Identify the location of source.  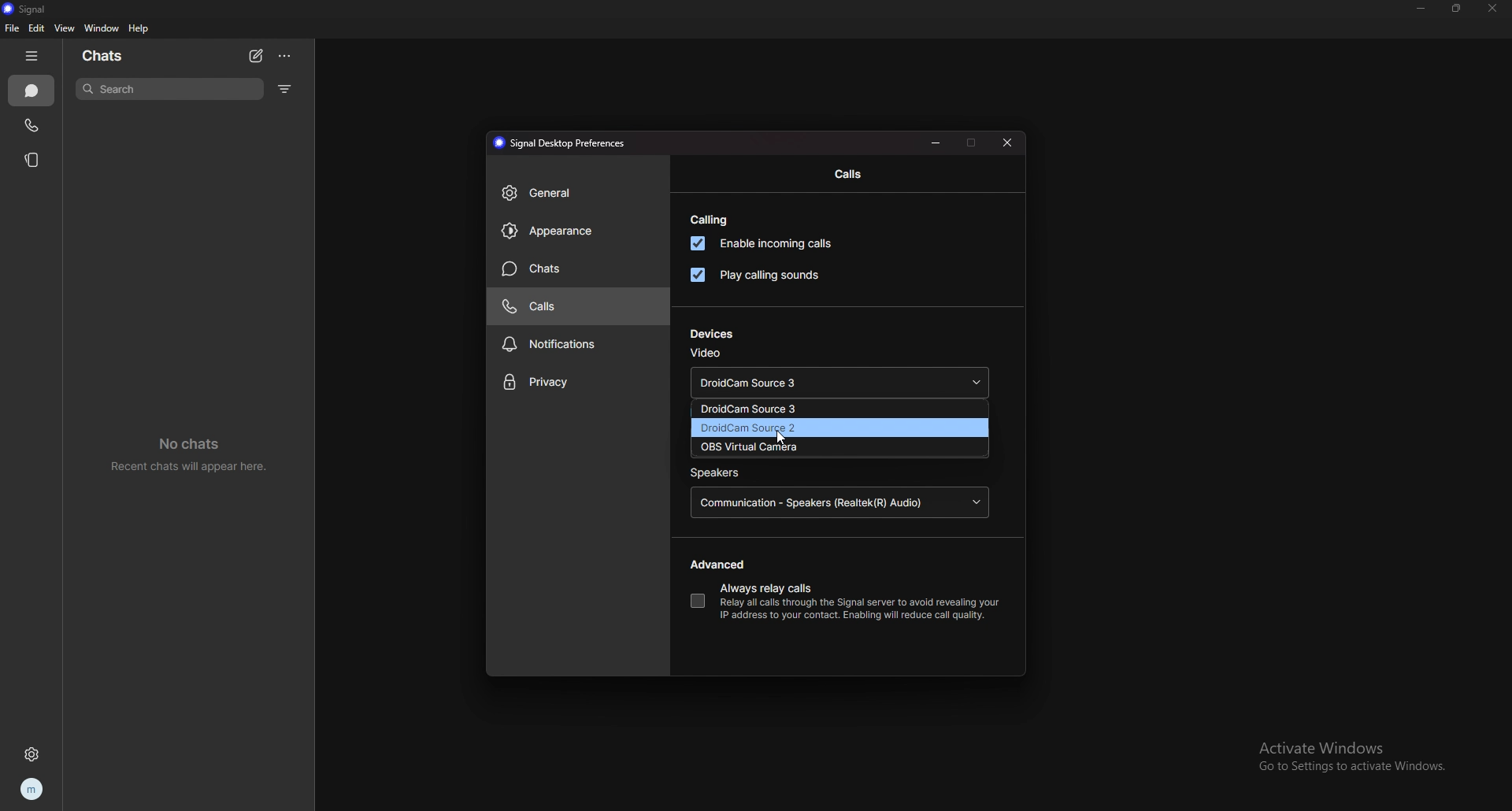
(834, 409).